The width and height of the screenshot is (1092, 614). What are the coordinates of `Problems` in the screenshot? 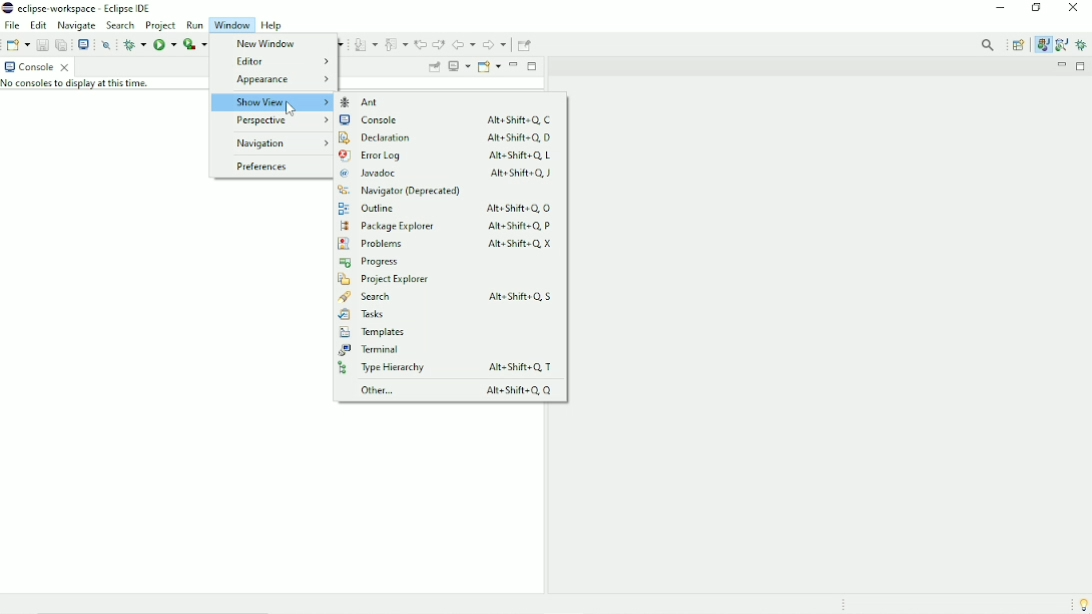 It's located at (445, 244).